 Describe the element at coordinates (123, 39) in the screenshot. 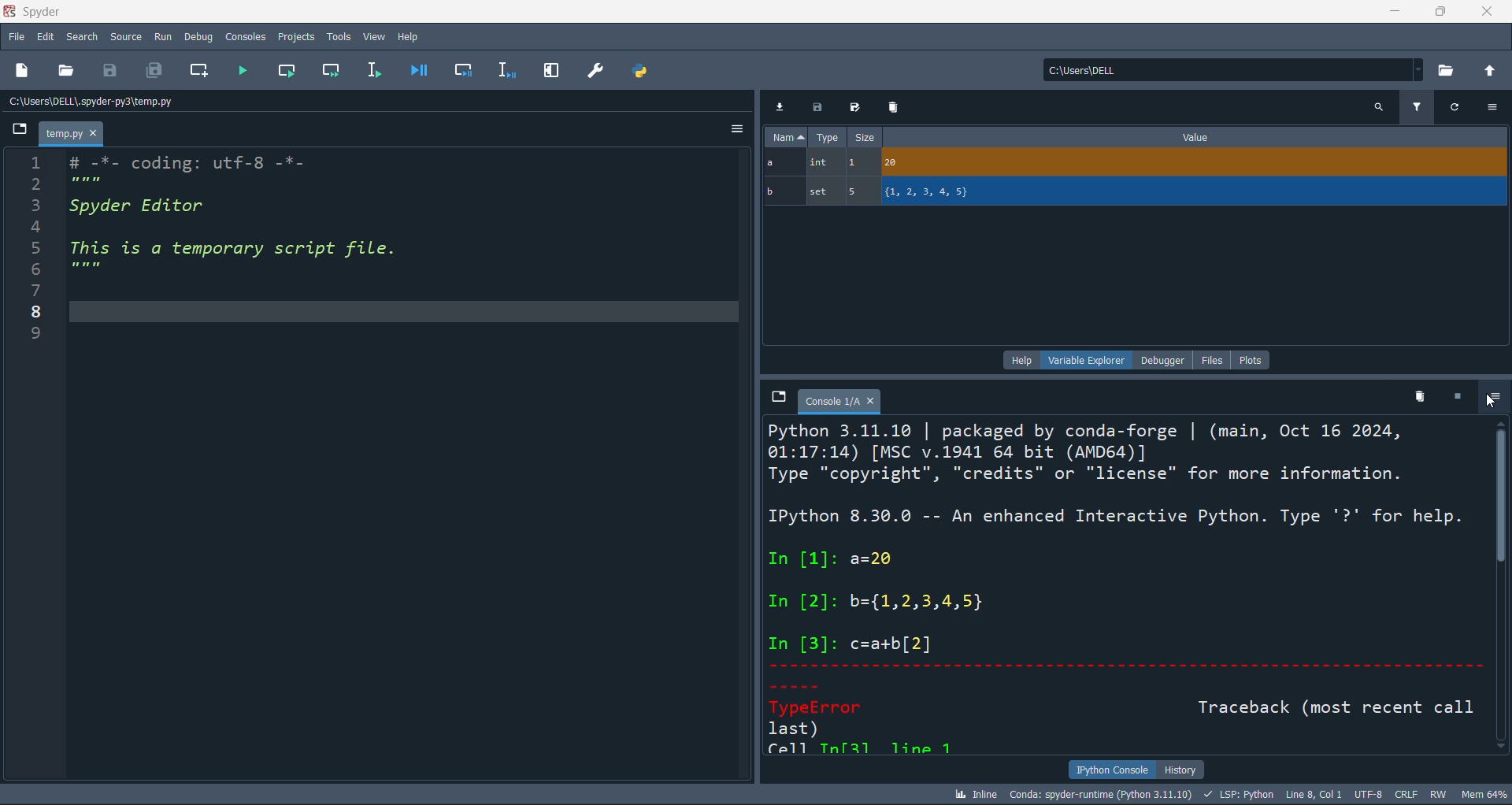

I see `source` at that location.